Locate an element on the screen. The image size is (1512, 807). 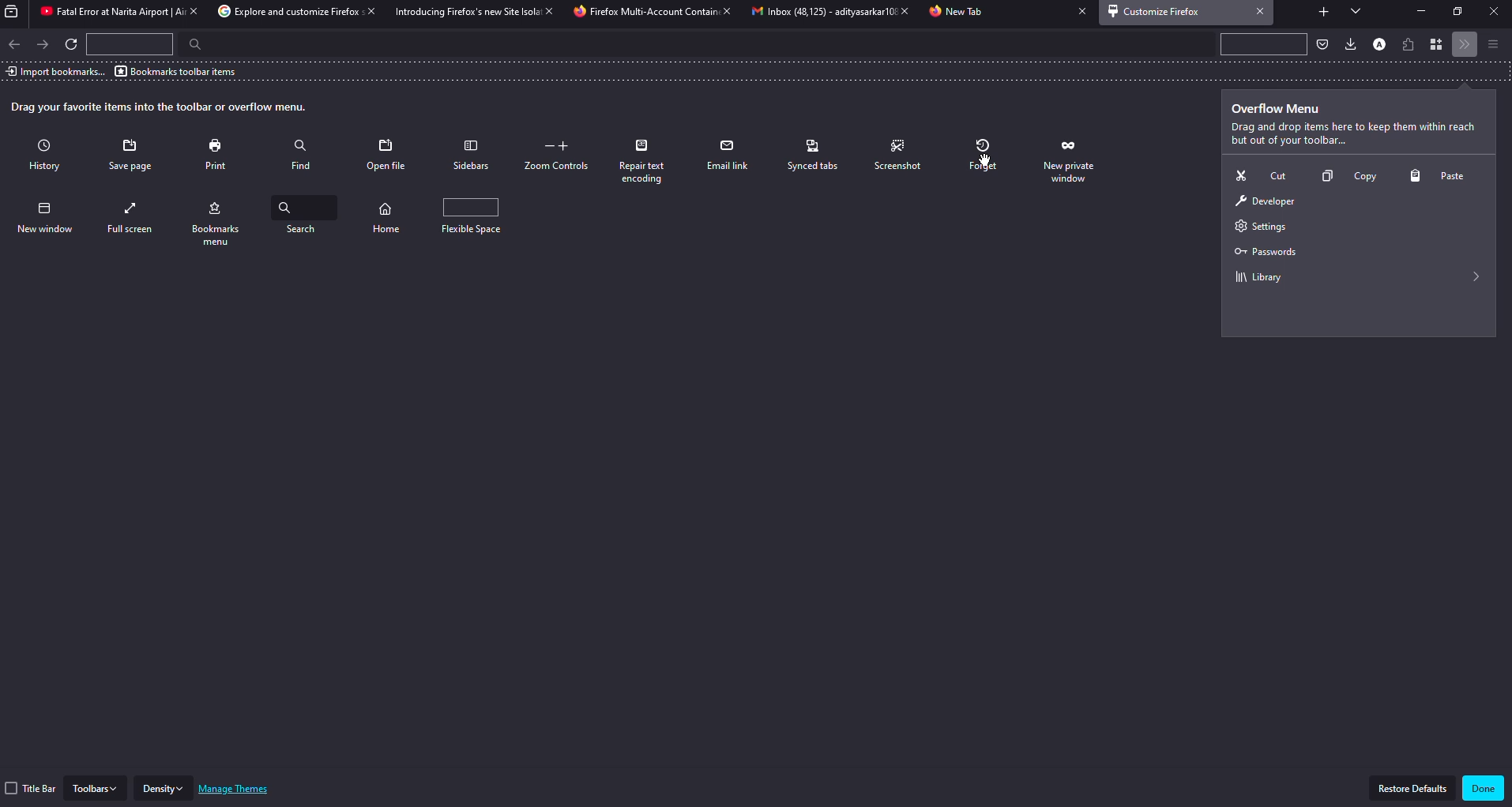
extension is located at coordinates (1410, 43).